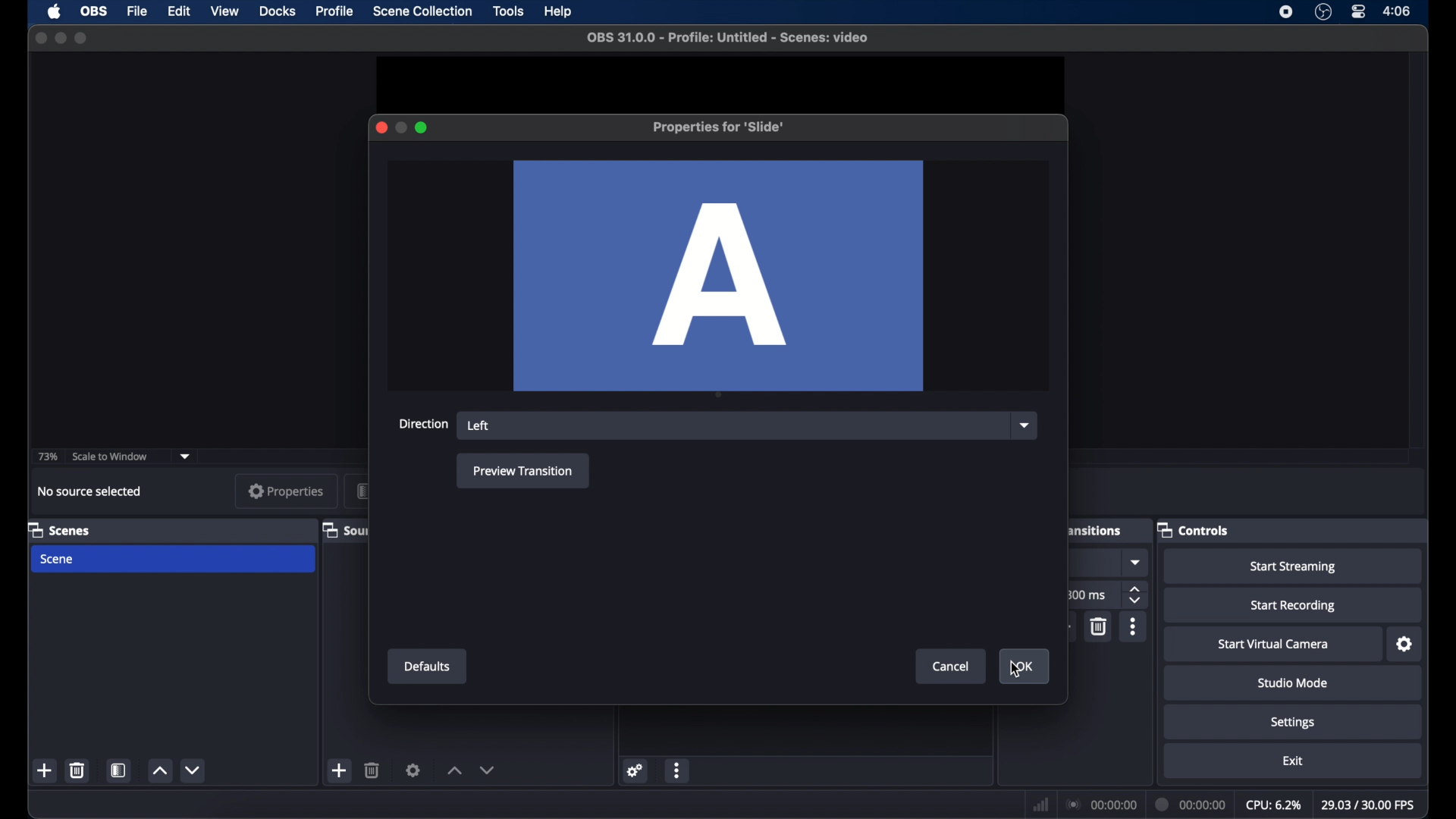 This screenshot has height=819, width=1456. What do you see at coordinates (1293, 606) in the screenshot?
I see `start recording` at bounding box center [1293, 606].